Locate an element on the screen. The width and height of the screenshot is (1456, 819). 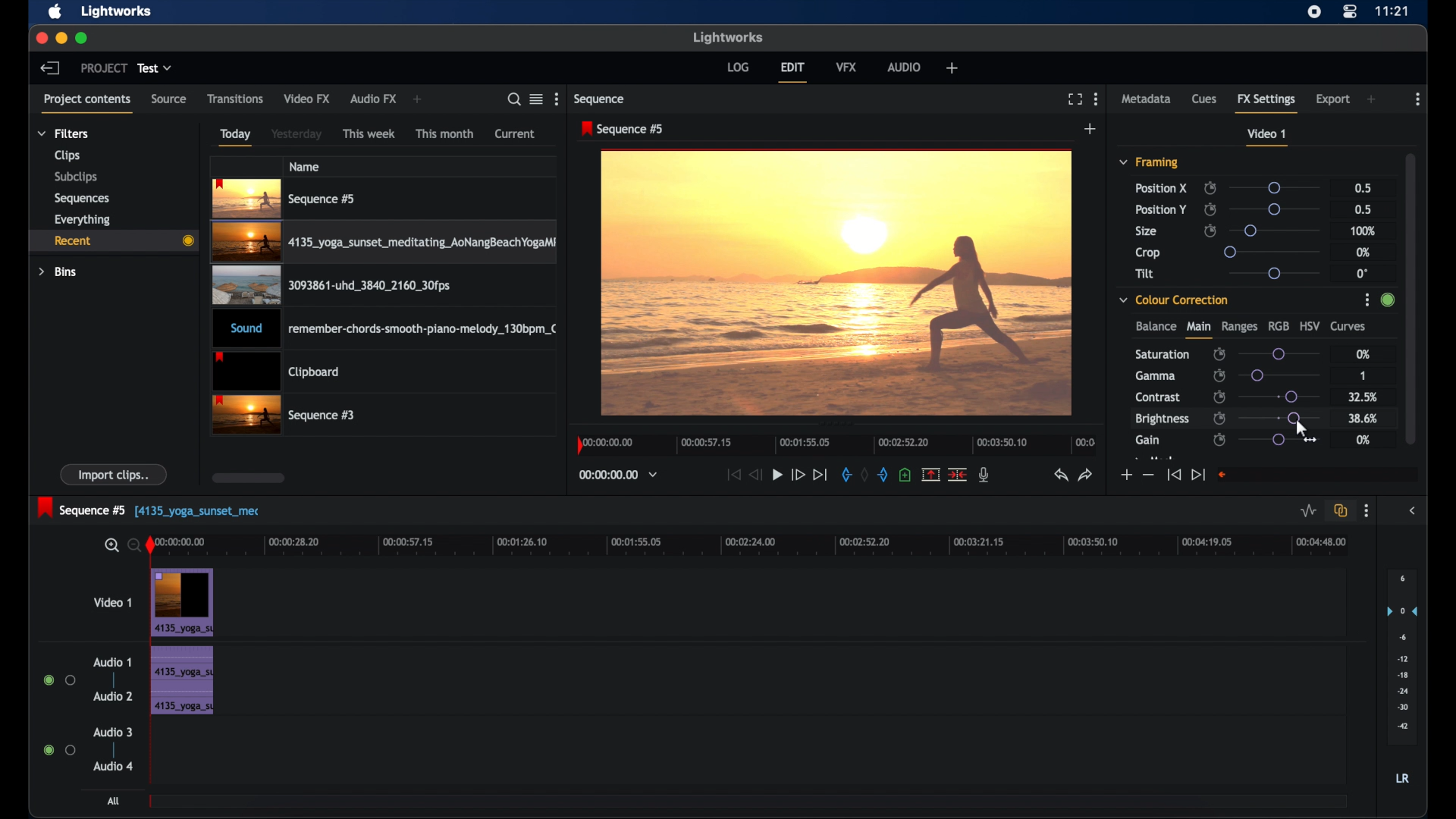
metadata is located at coordinates (1147, 98).